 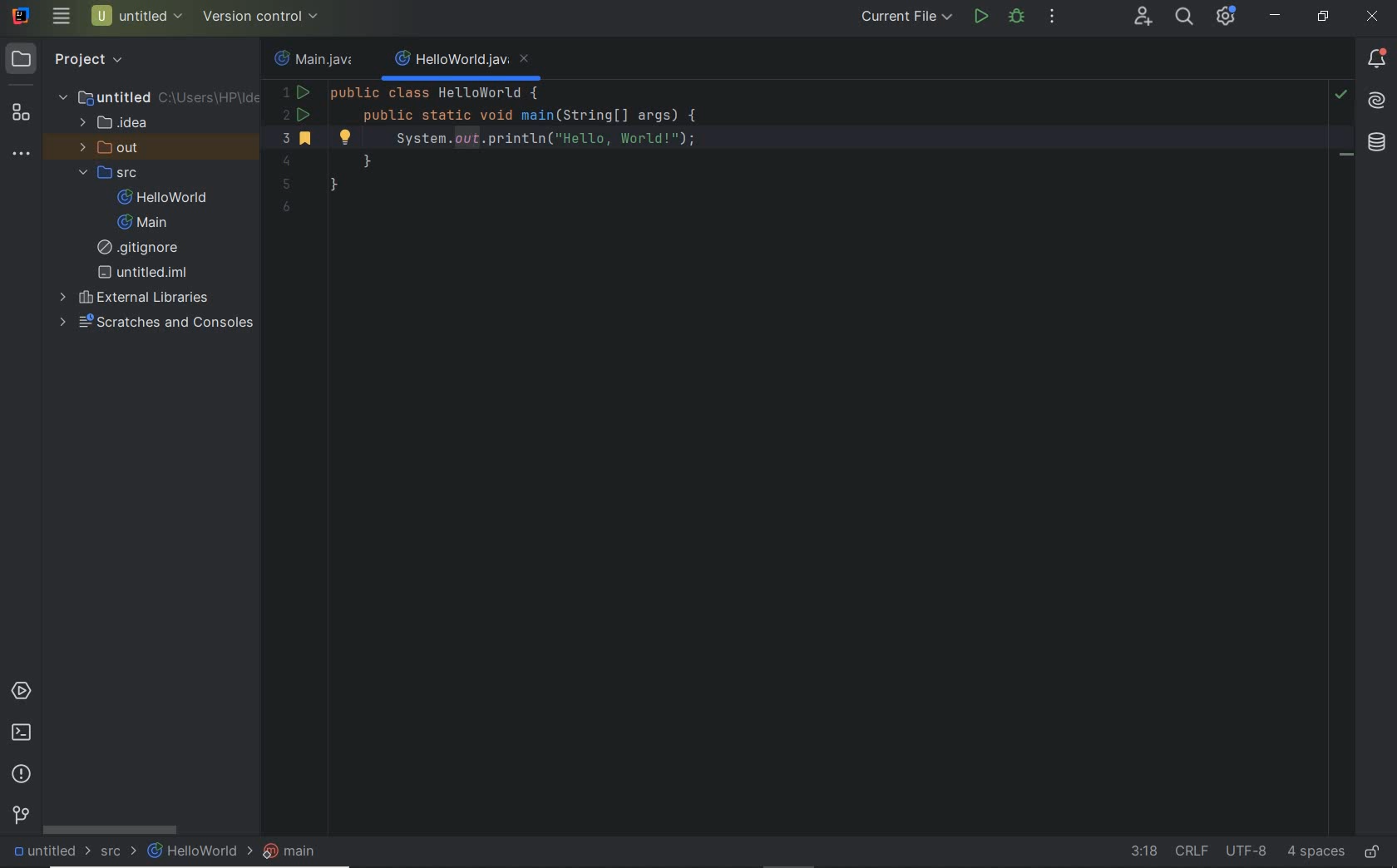 What do you see at coordinates (22, 732) in the screenshot?
I see `terminal` at bounding box center [22, 732].